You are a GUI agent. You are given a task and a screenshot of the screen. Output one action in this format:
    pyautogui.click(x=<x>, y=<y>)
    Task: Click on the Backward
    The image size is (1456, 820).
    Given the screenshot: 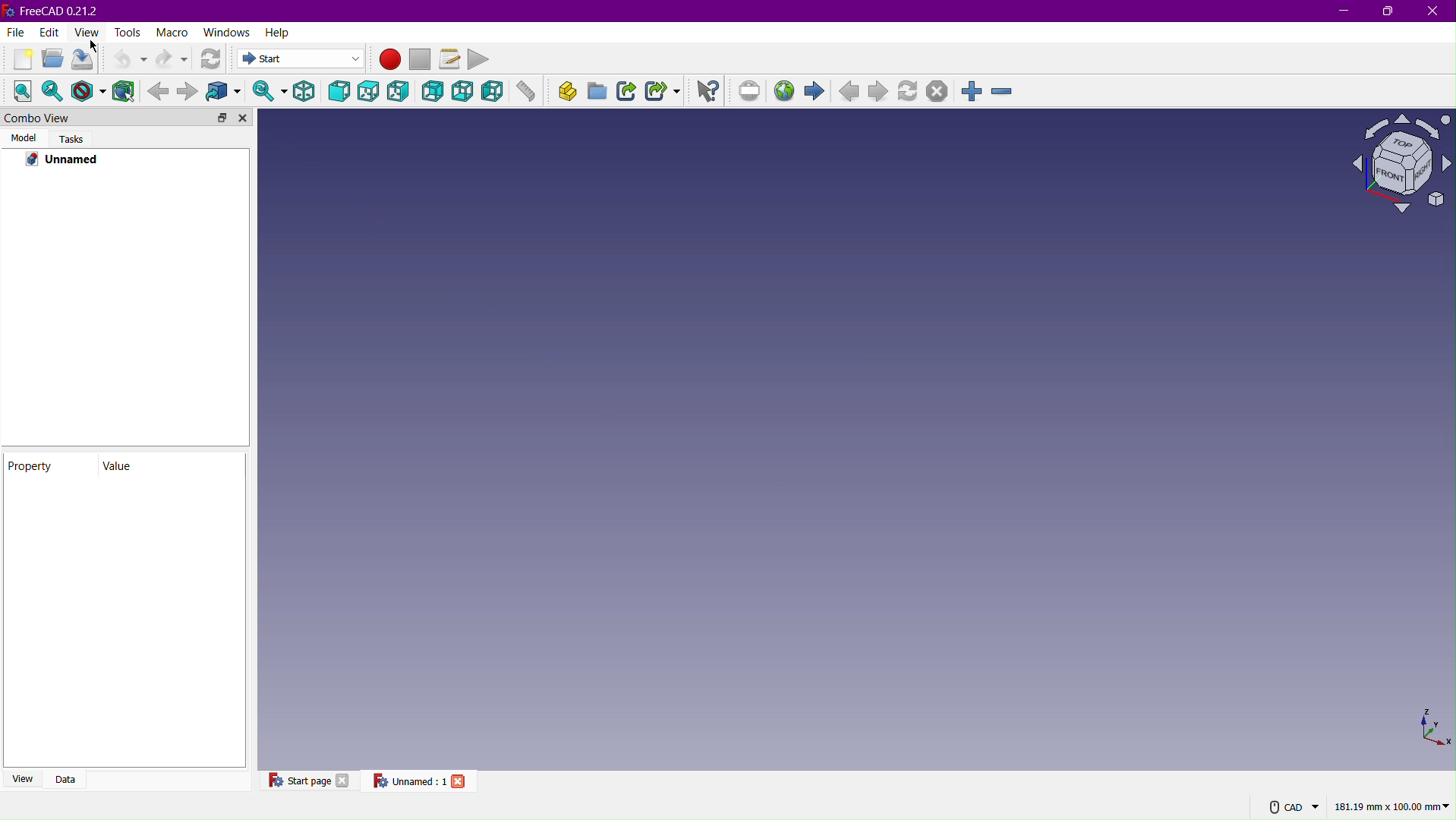 What is the action you would take?
    pyautogui.click(x=154, y=94)
    